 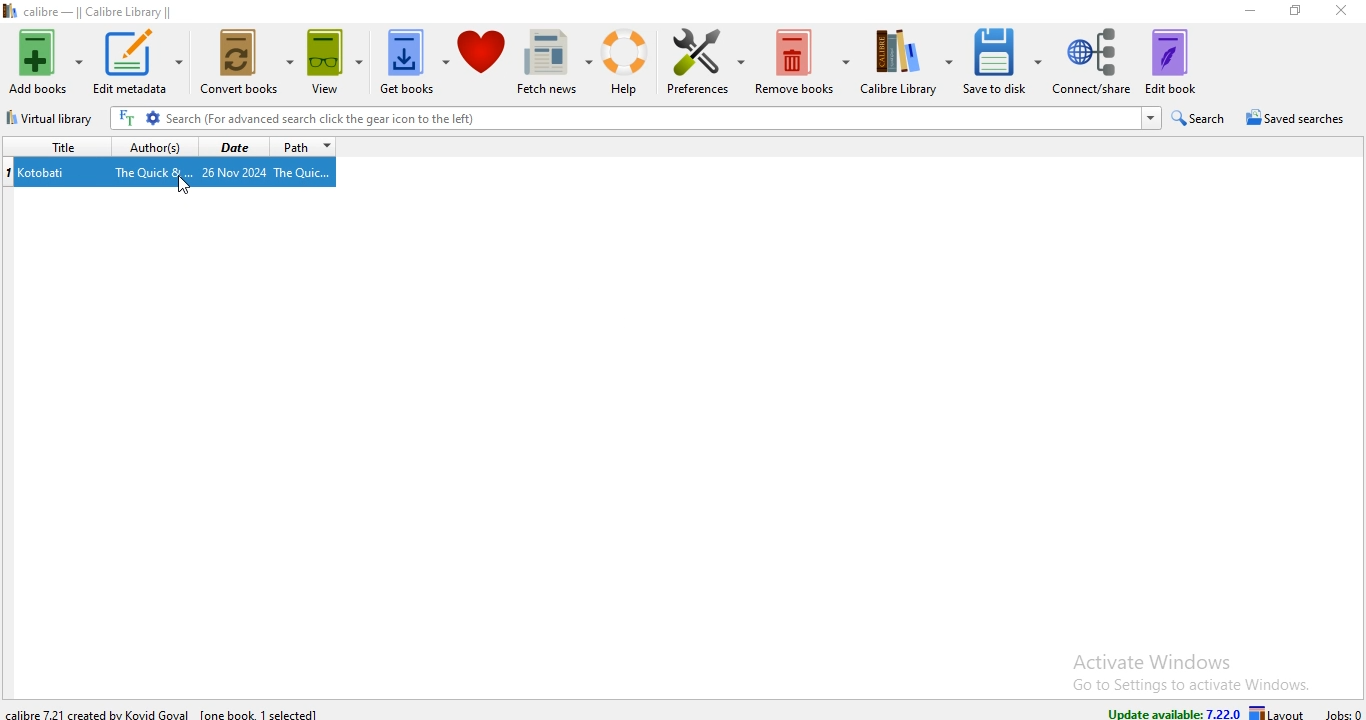 What do you see at coordinates (414, 63) in the screenshot?
I see `get books` at bounding box center [414, 63].